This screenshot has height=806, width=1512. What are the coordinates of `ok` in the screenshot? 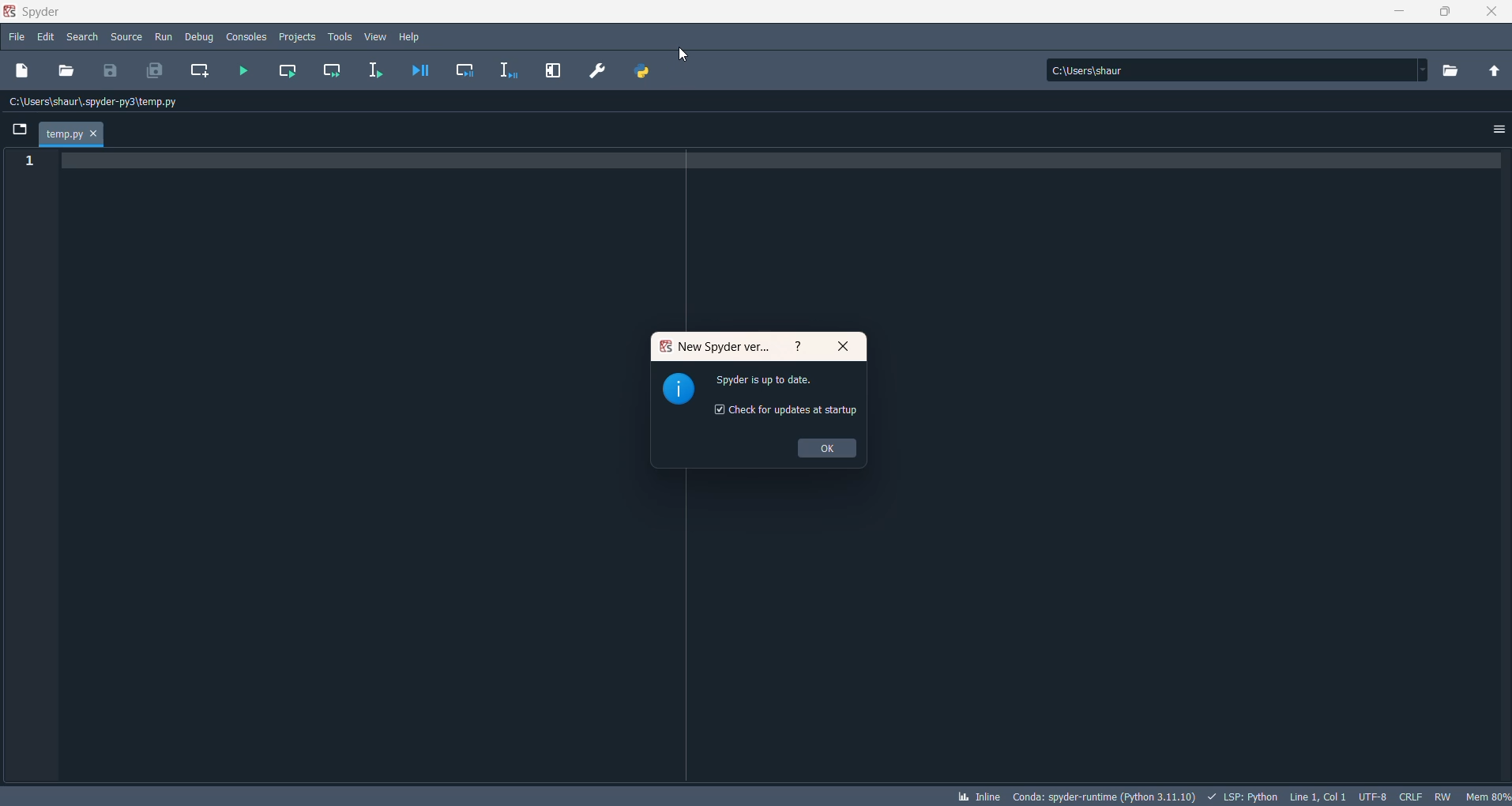 It's located at (827, 450).